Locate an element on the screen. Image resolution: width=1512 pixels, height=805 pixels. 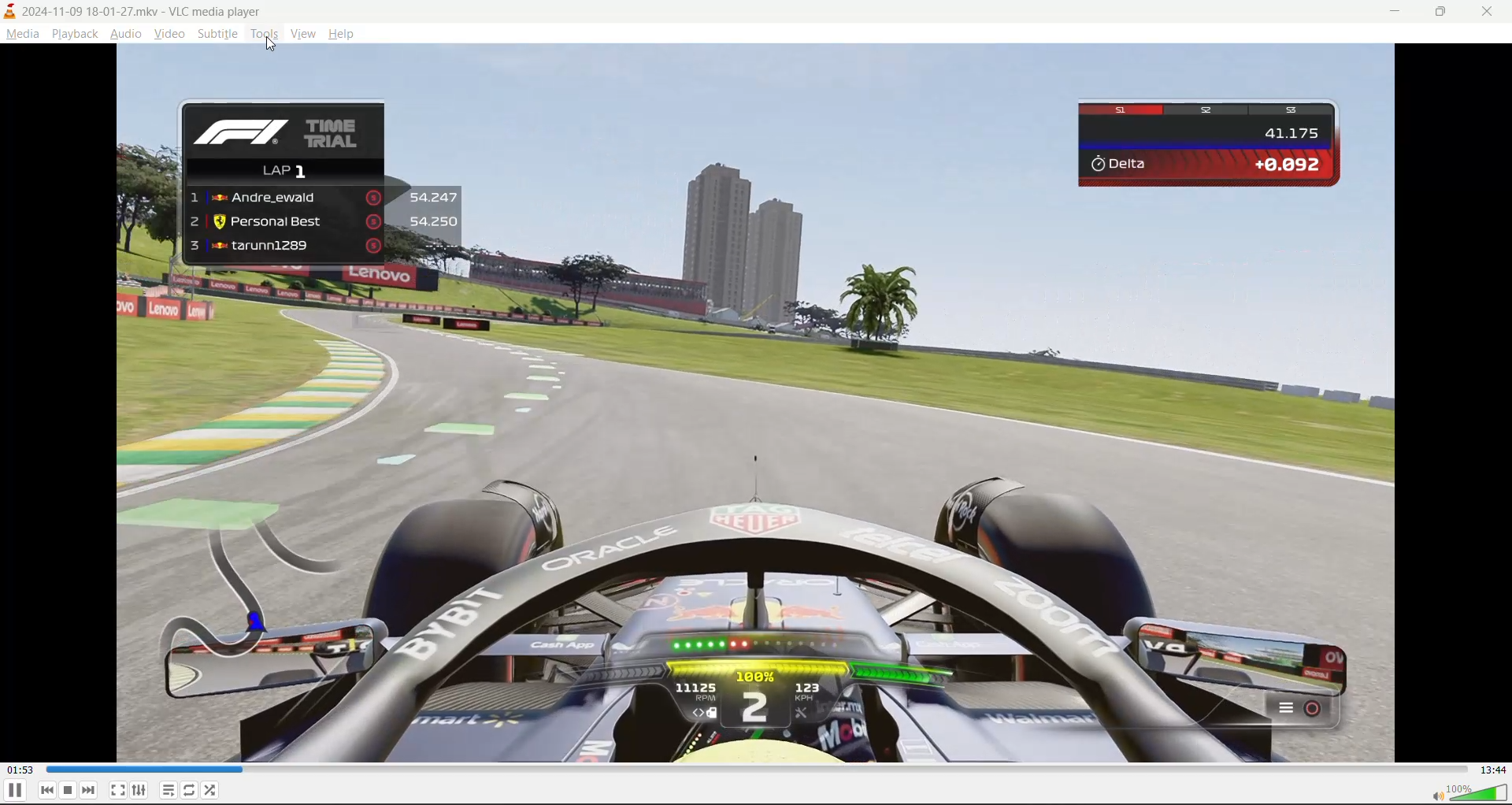
total track time is located at coordinates (1489, 768).